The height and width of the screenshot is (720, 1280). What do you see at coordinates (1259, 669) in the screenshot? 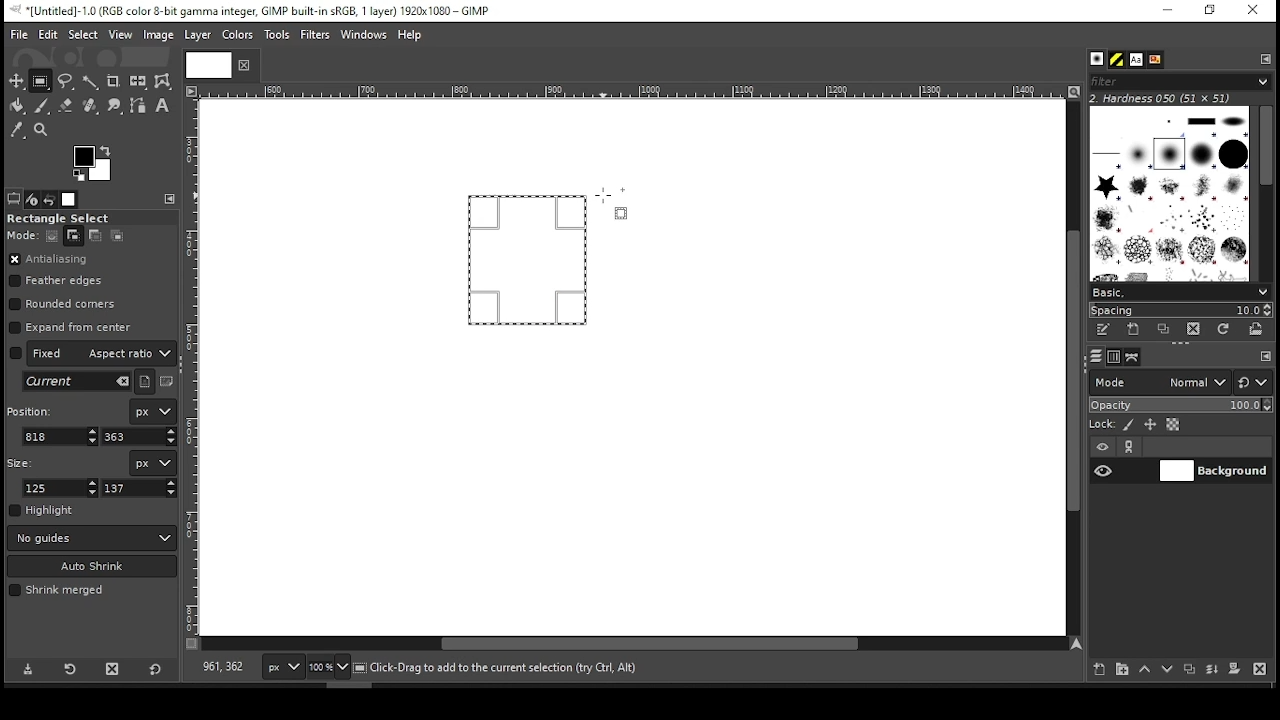
I see `delete layer` at bounding box center [1259, 669].